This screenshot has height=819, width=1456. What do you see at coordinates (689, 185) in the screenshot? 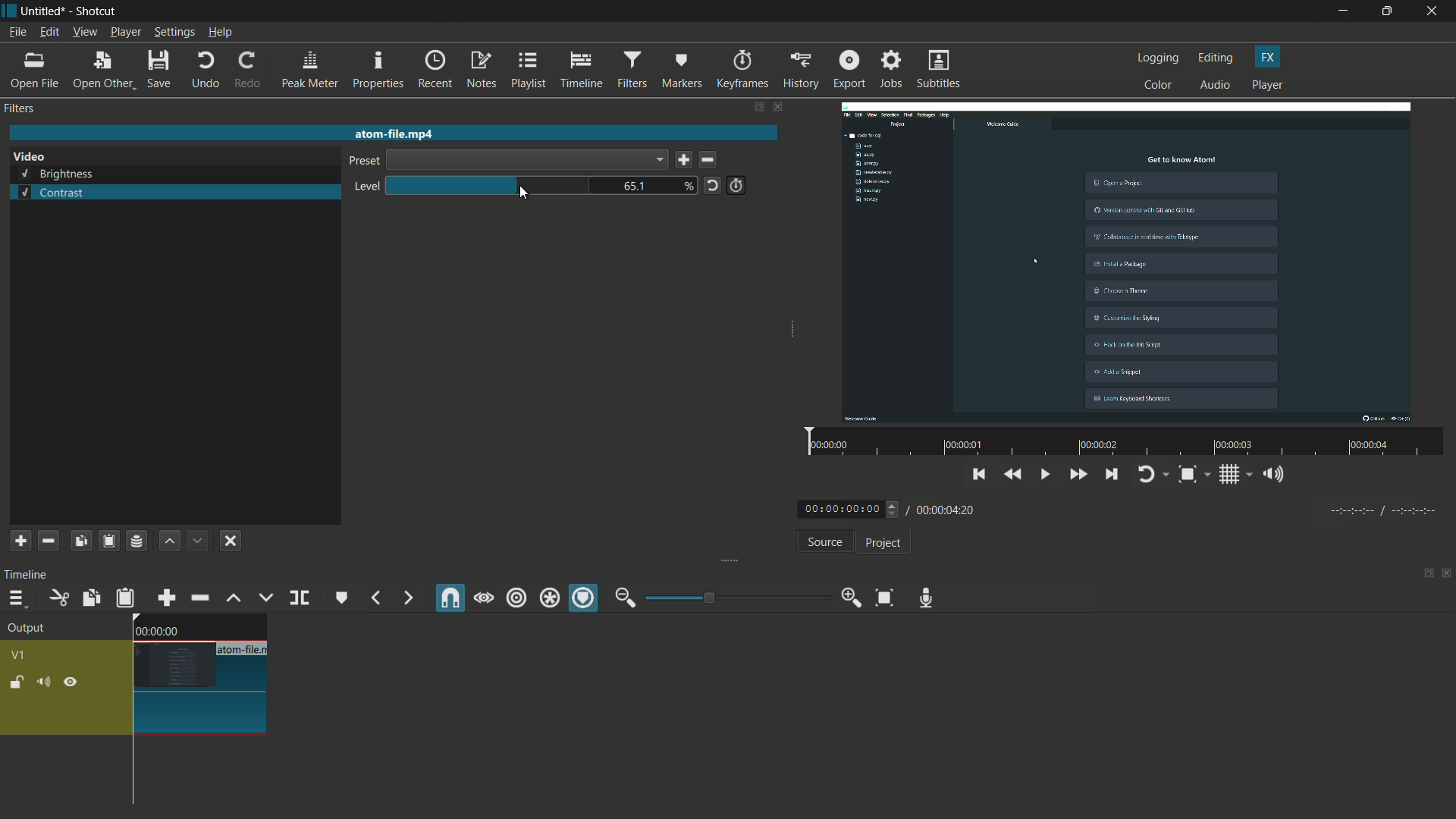
I see `%` at bounding box center [689, 185].